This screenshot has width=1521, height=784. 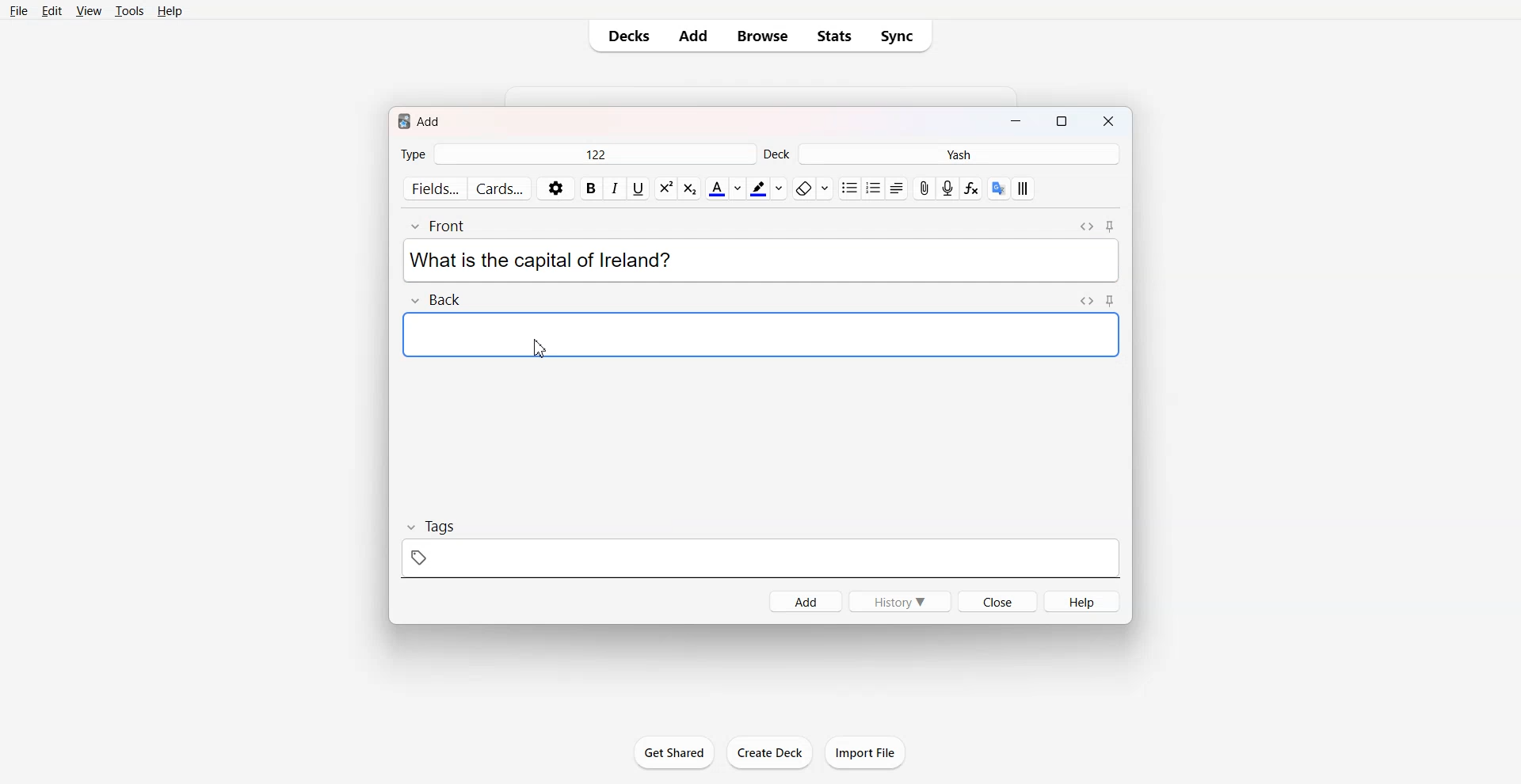 I want to click on Google Translate, so click(x=999, y=188).